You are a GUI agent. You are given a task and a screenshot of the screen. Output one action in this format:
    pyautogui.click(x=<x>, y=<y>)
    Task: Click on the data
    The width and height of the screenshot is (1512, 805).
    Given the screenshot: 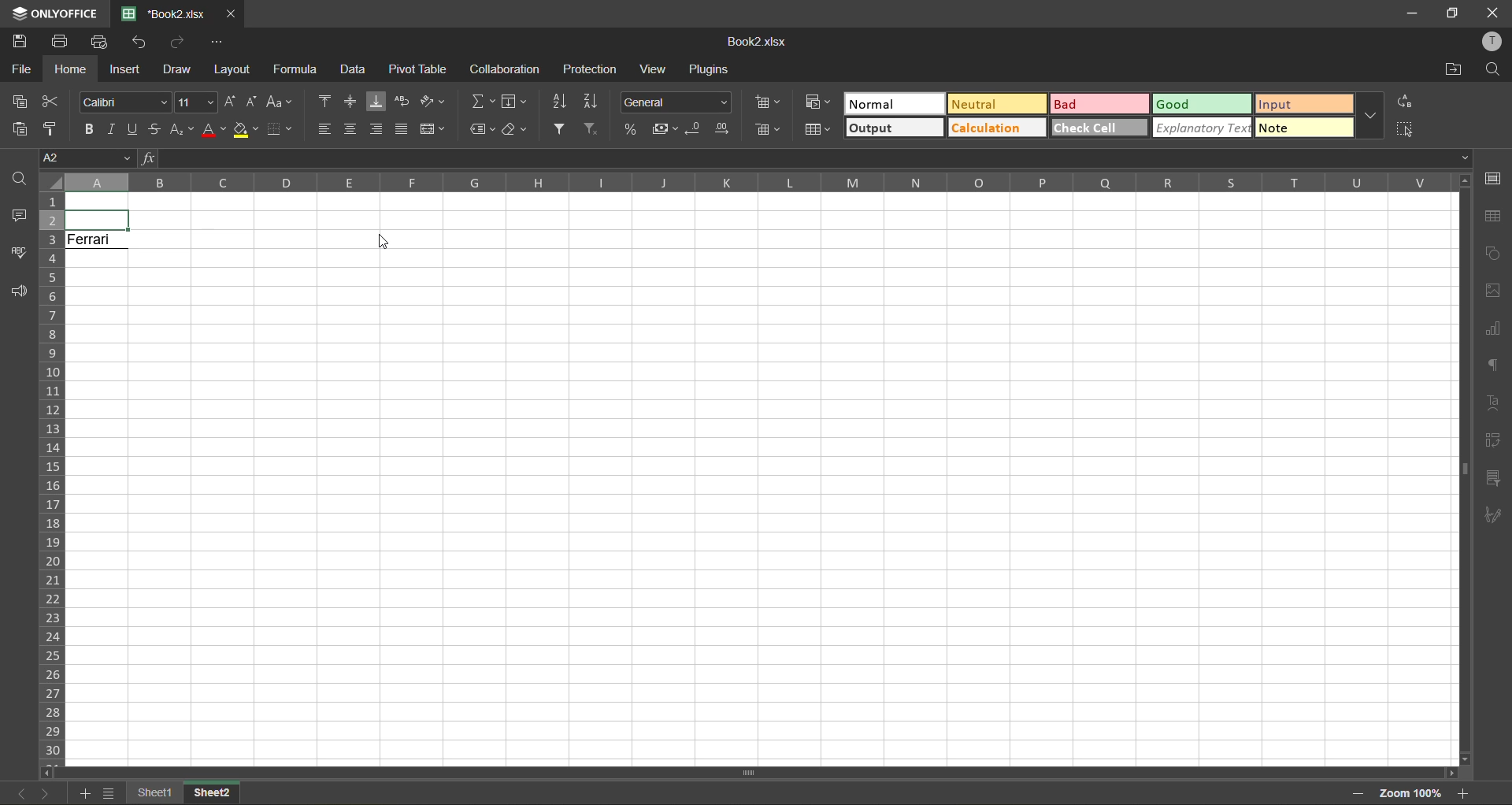 What is the action you would take?
    pyautogui.click(x=354, y=71)
    